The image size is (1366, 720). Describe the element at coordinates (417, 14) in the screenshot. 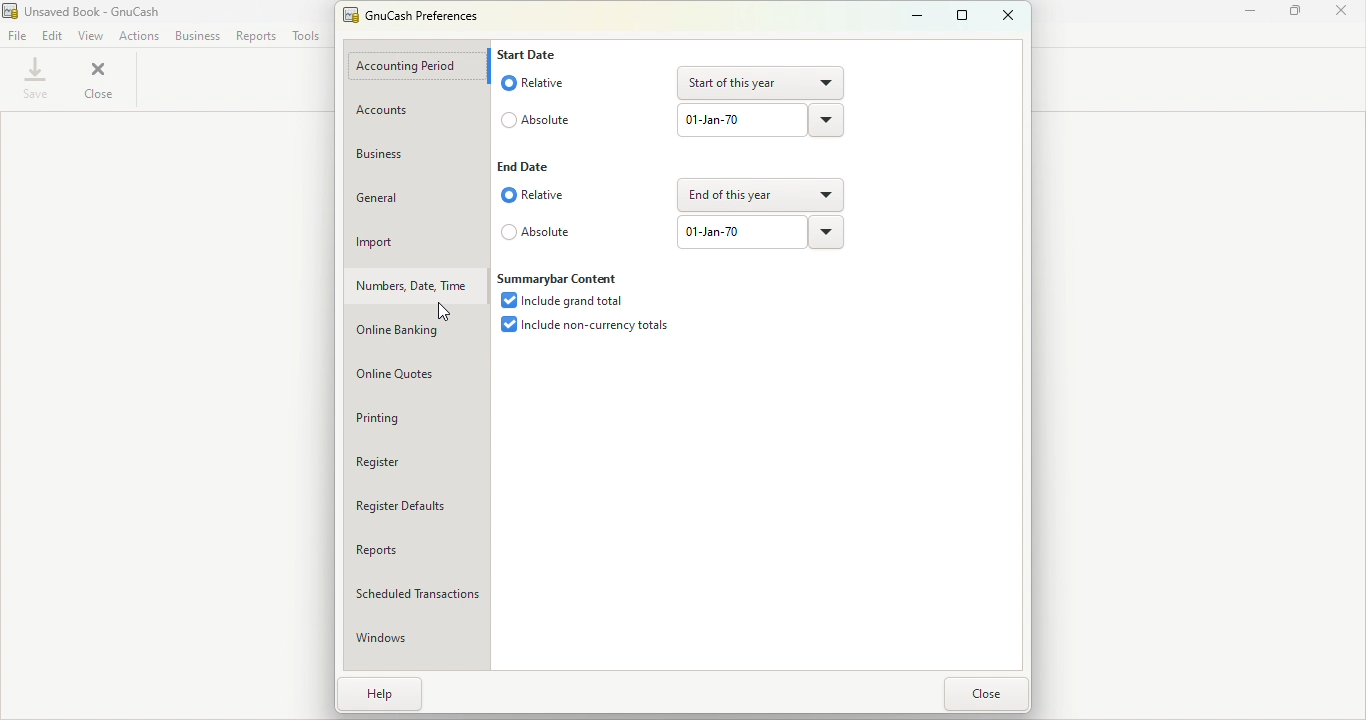

I see `GnuCash Preferences` at that location.